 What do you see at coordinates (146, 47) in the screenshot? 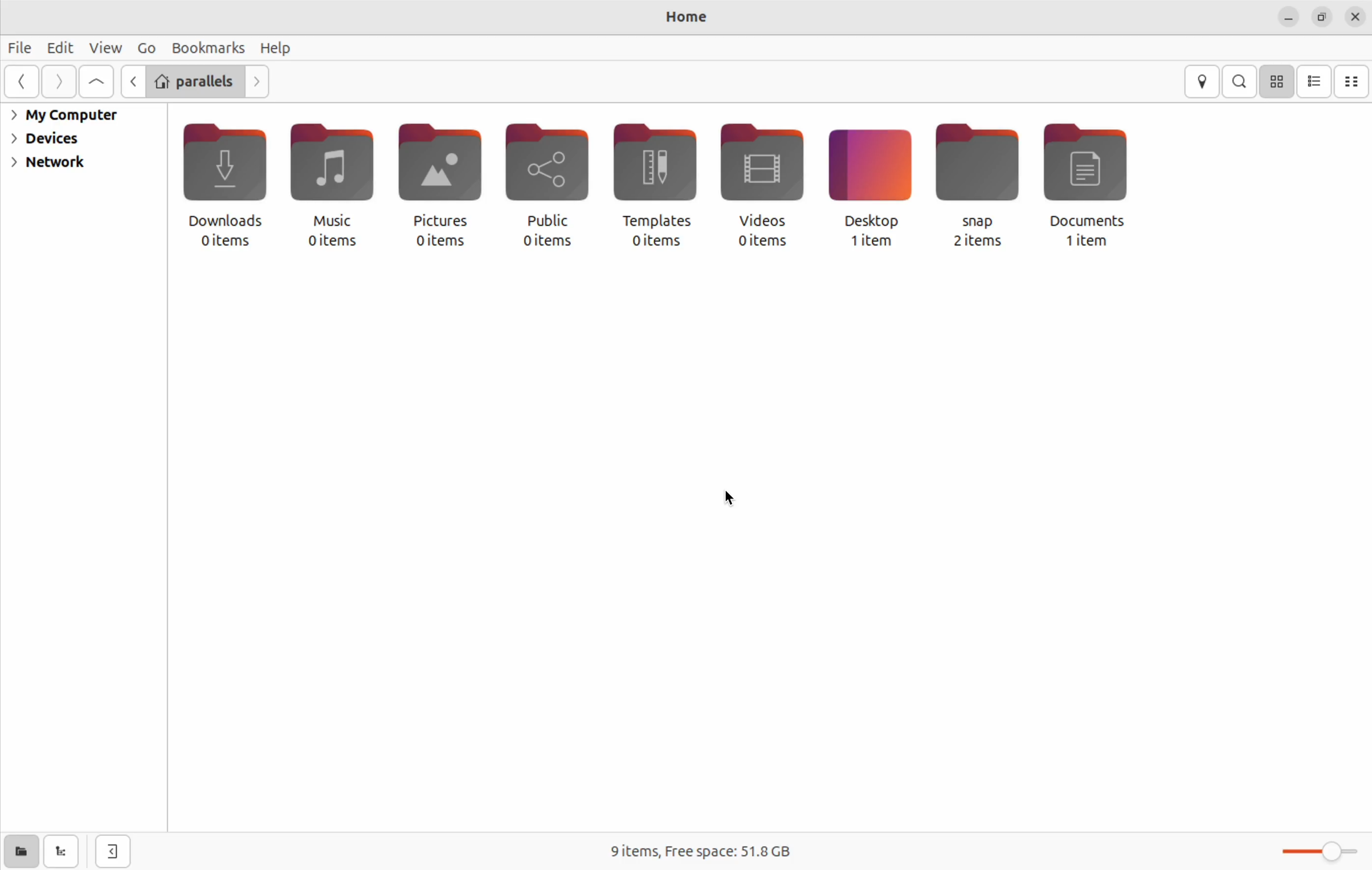
I see `` at bounding box center [146, 47].